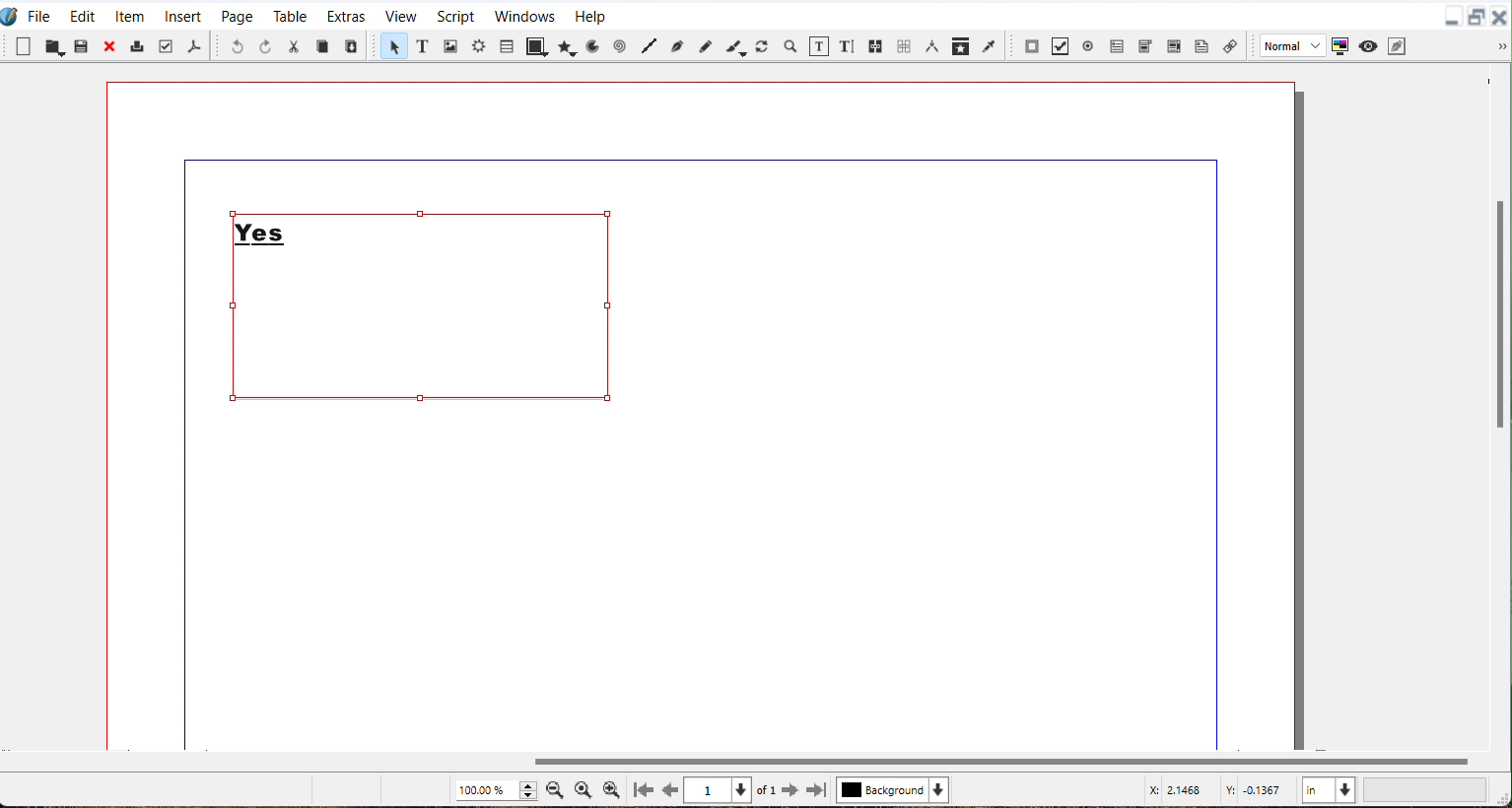  Describe the element at coordinates (523, 15) in the screenshot. I see `Windows` at that location.